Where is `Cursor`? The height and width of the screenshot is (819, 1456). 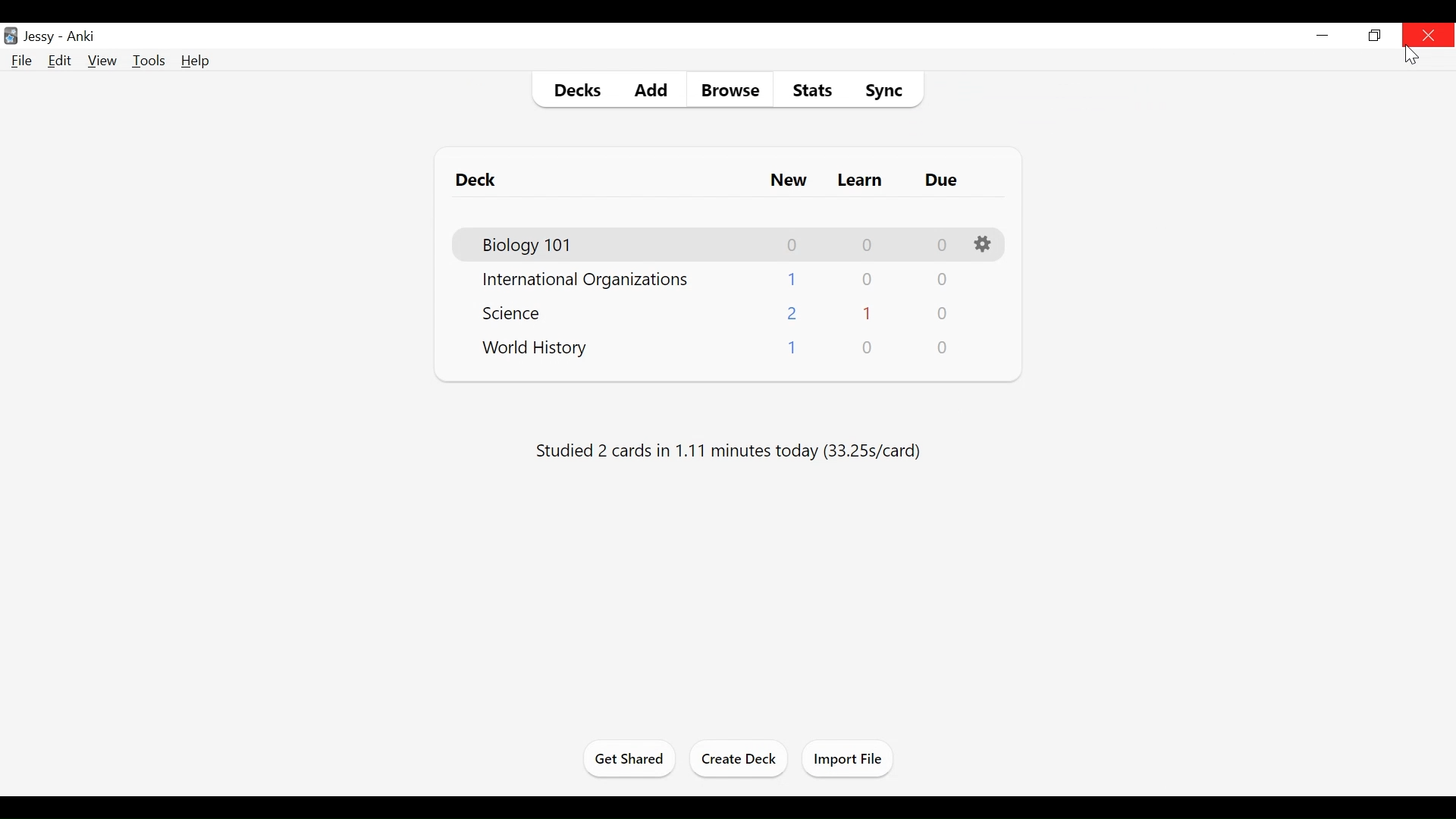 Cursor is located at coordinates (1413, 55).